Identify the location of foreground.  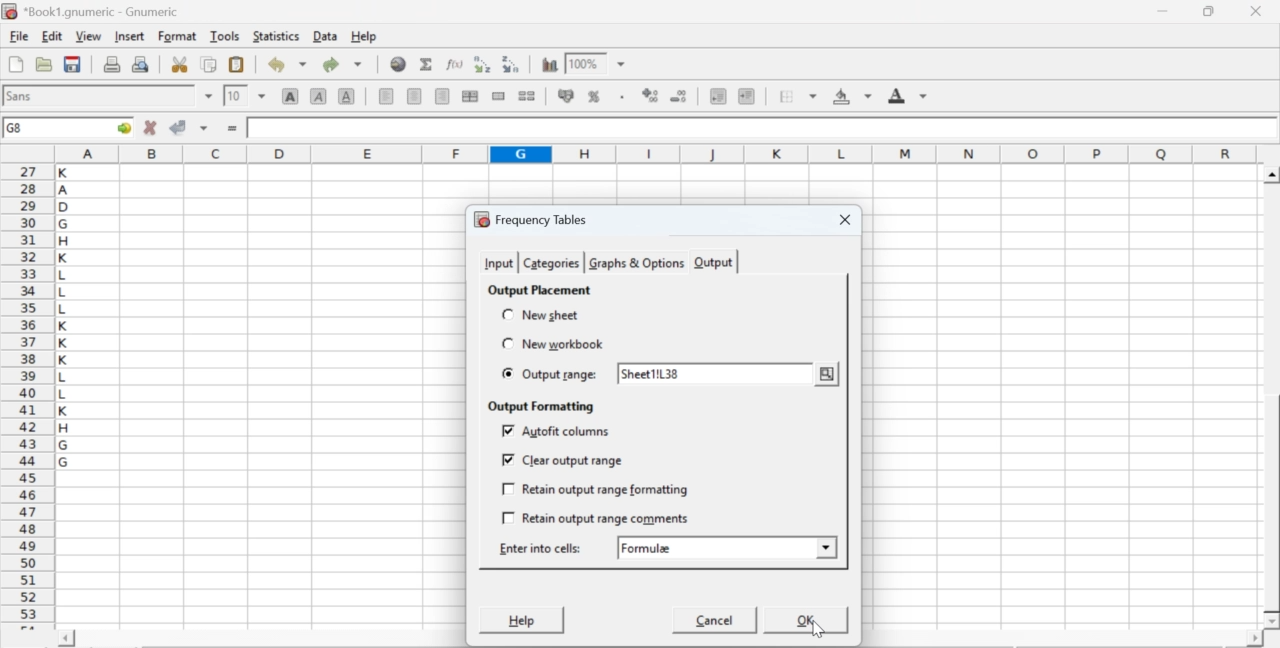
(908, 95).